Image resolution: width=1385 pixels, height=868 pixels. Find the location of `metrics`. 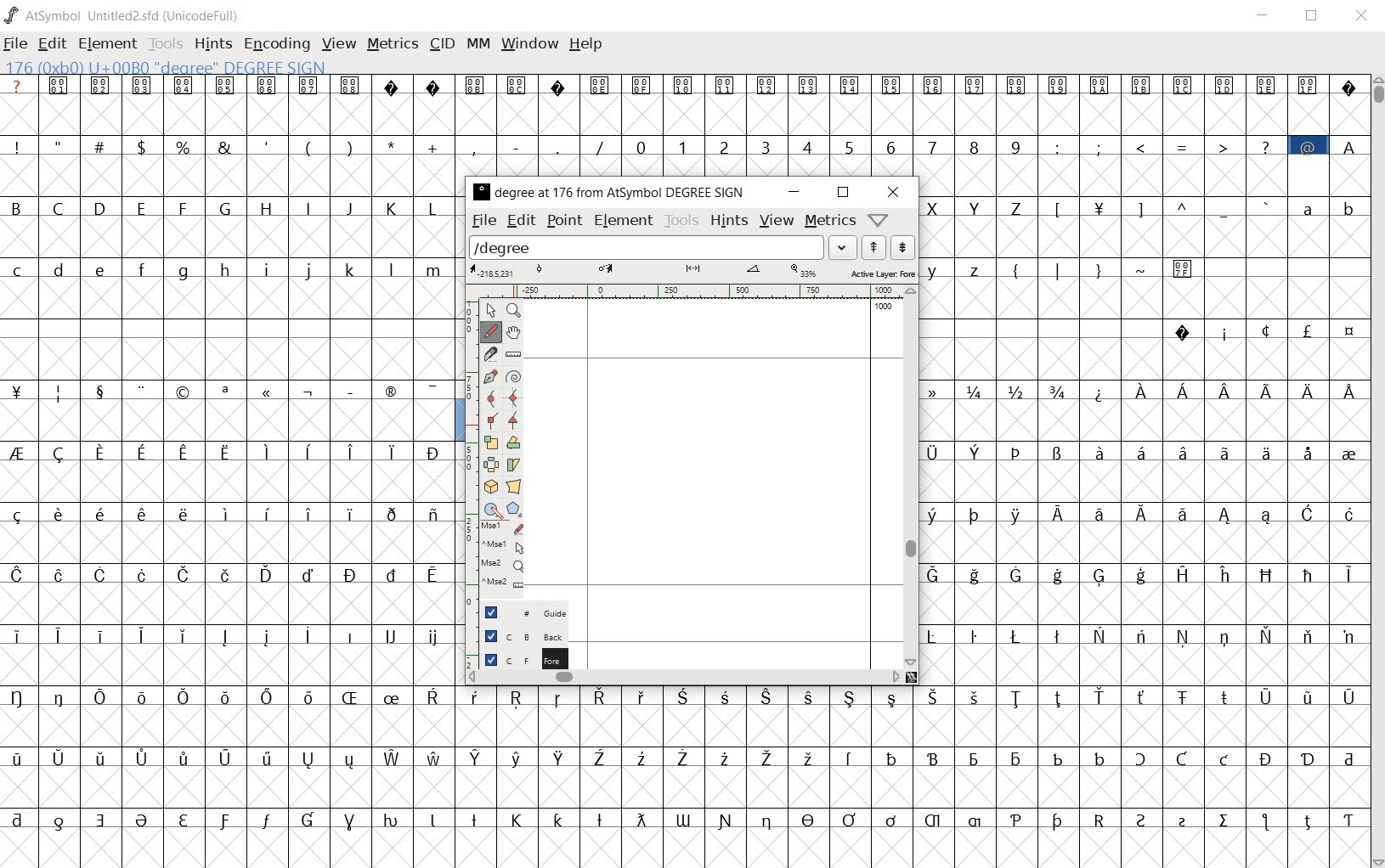

metrics is located at coordinates (393, 45).